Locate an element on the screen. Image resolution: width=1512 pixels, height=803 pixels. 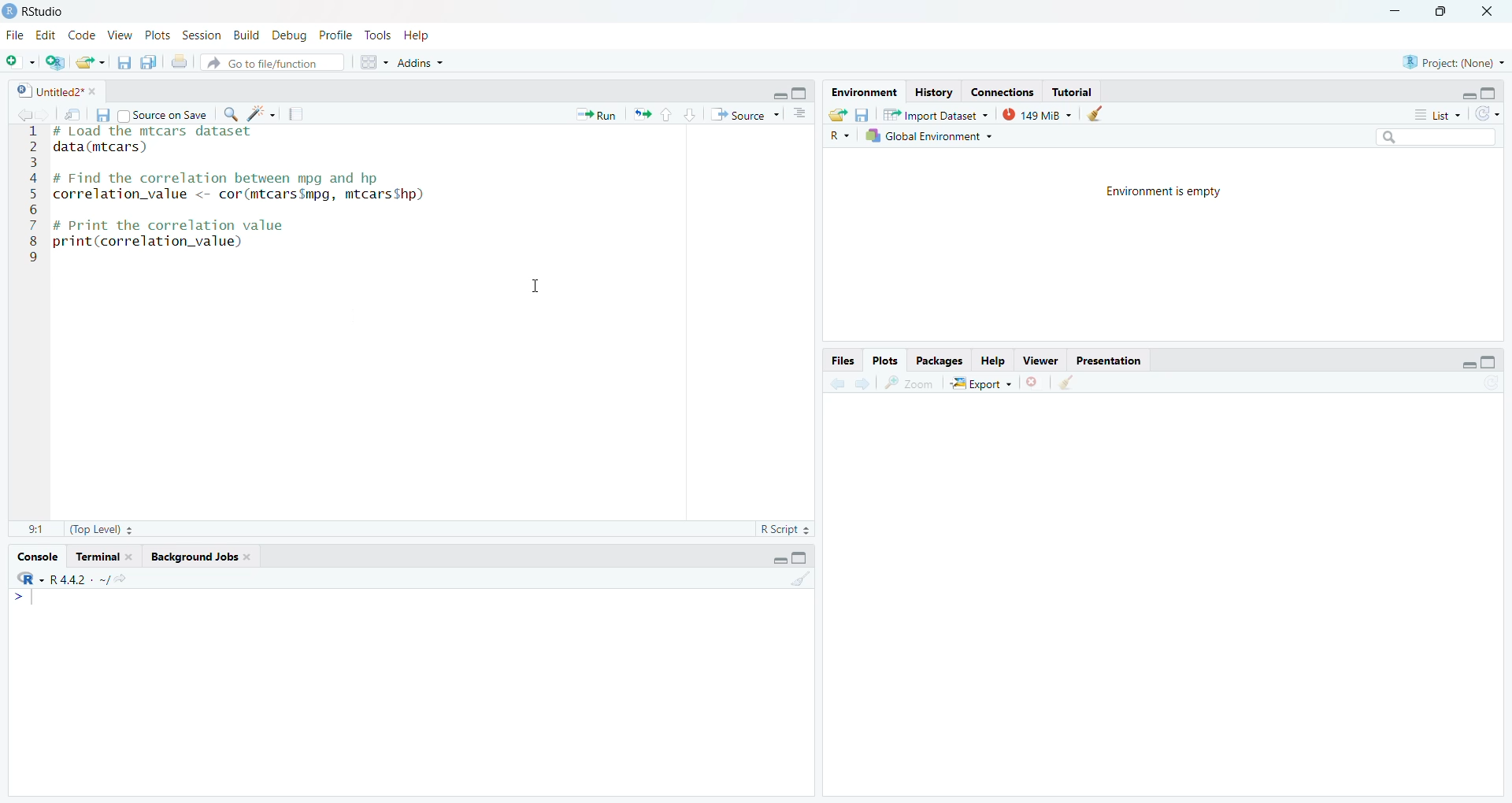
Files is located at coordinates (843, 361).